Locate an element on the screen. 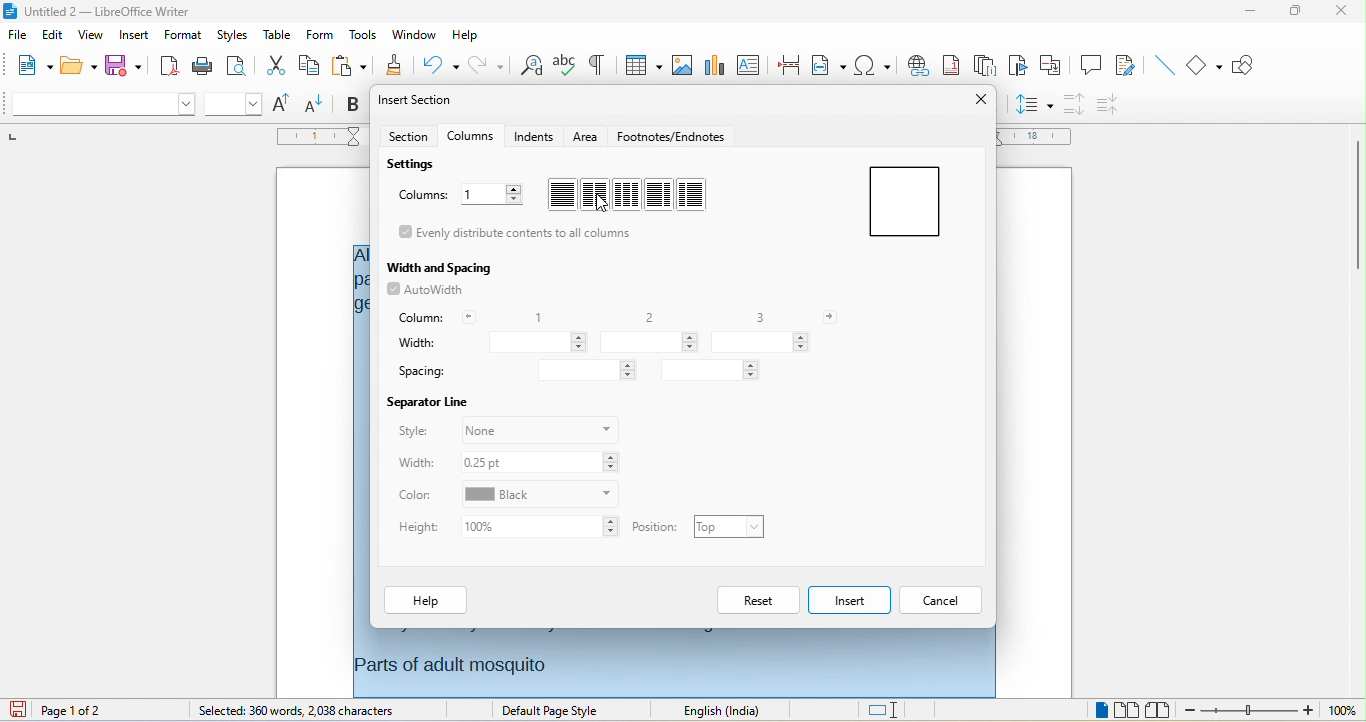 The height and width of the screenshot is (722, 1366). image is located at coordinates (683, 64).